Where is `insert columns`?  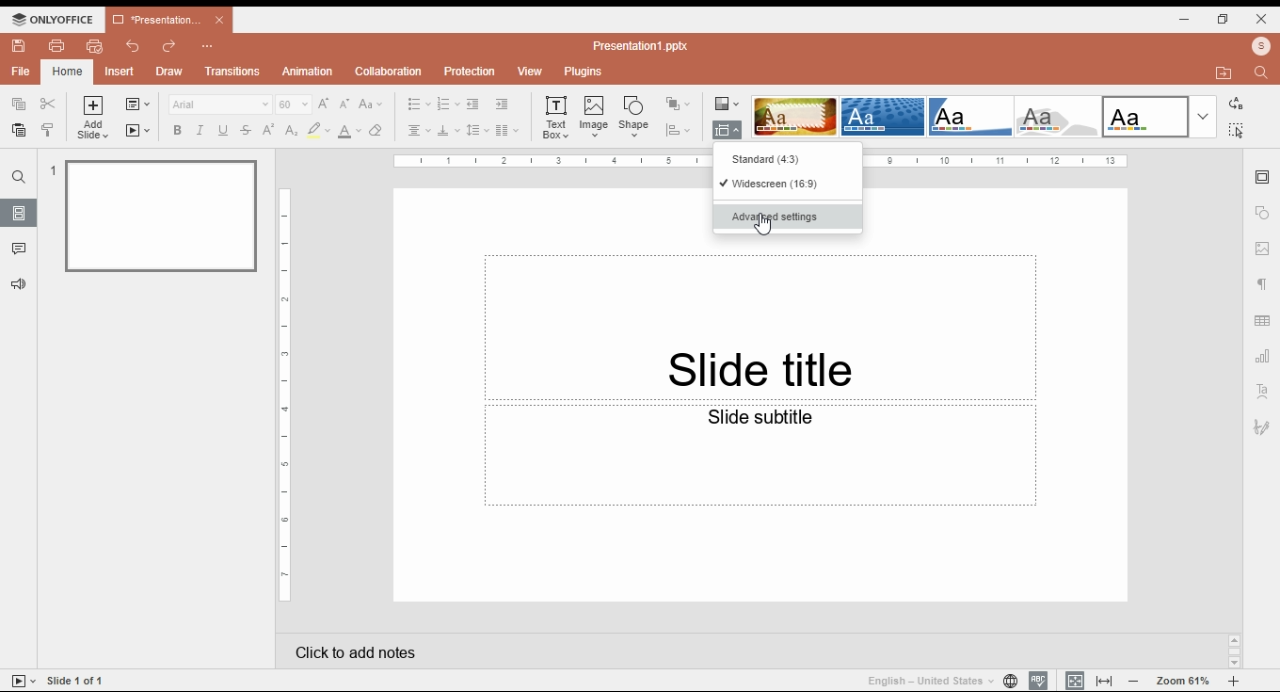
insert columns is located at coordinates (507, 132).